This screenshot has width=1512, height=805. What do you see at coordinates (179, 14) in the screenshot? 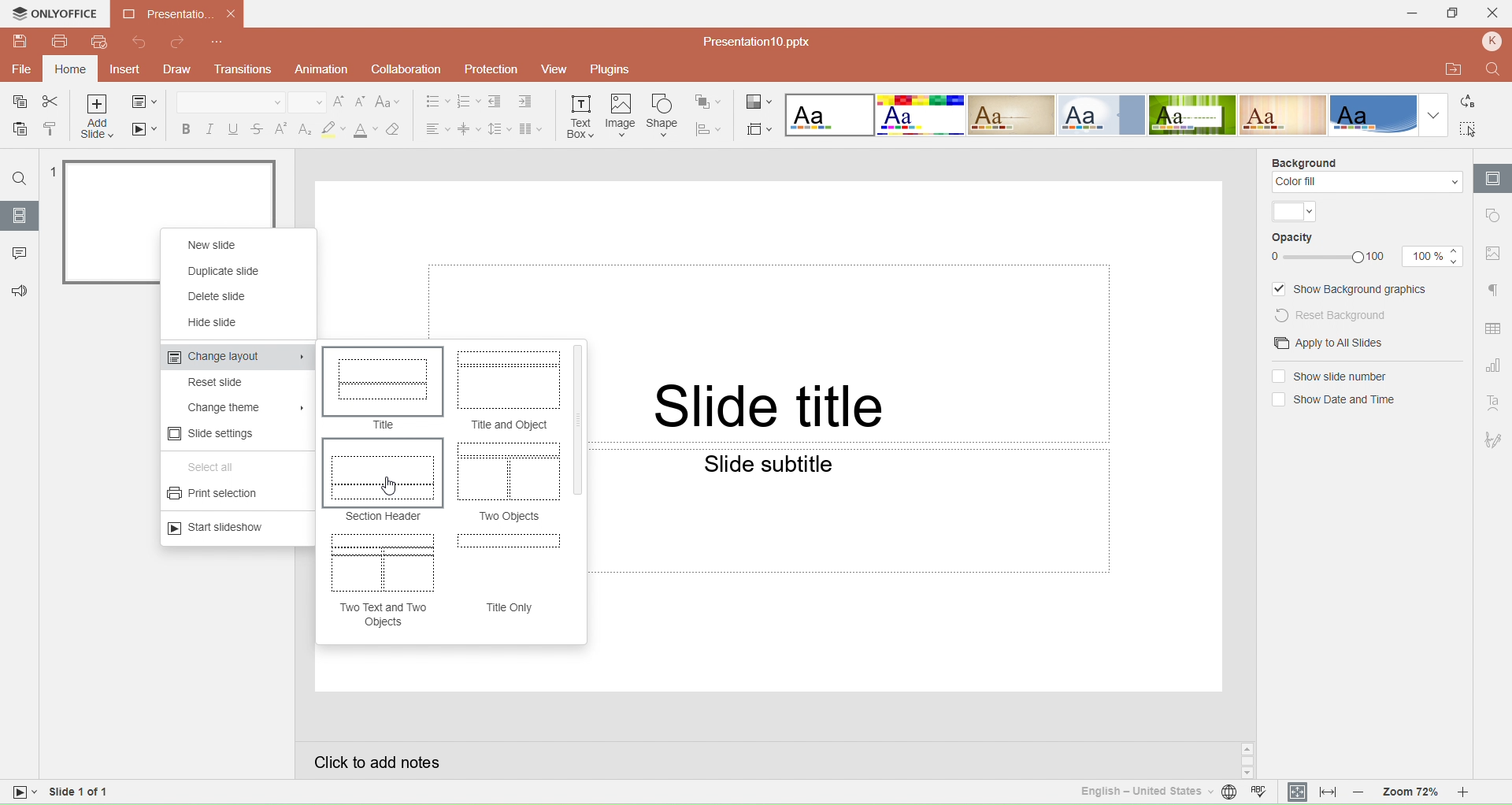
I see `Presentation` at bounding box center [179, 14].